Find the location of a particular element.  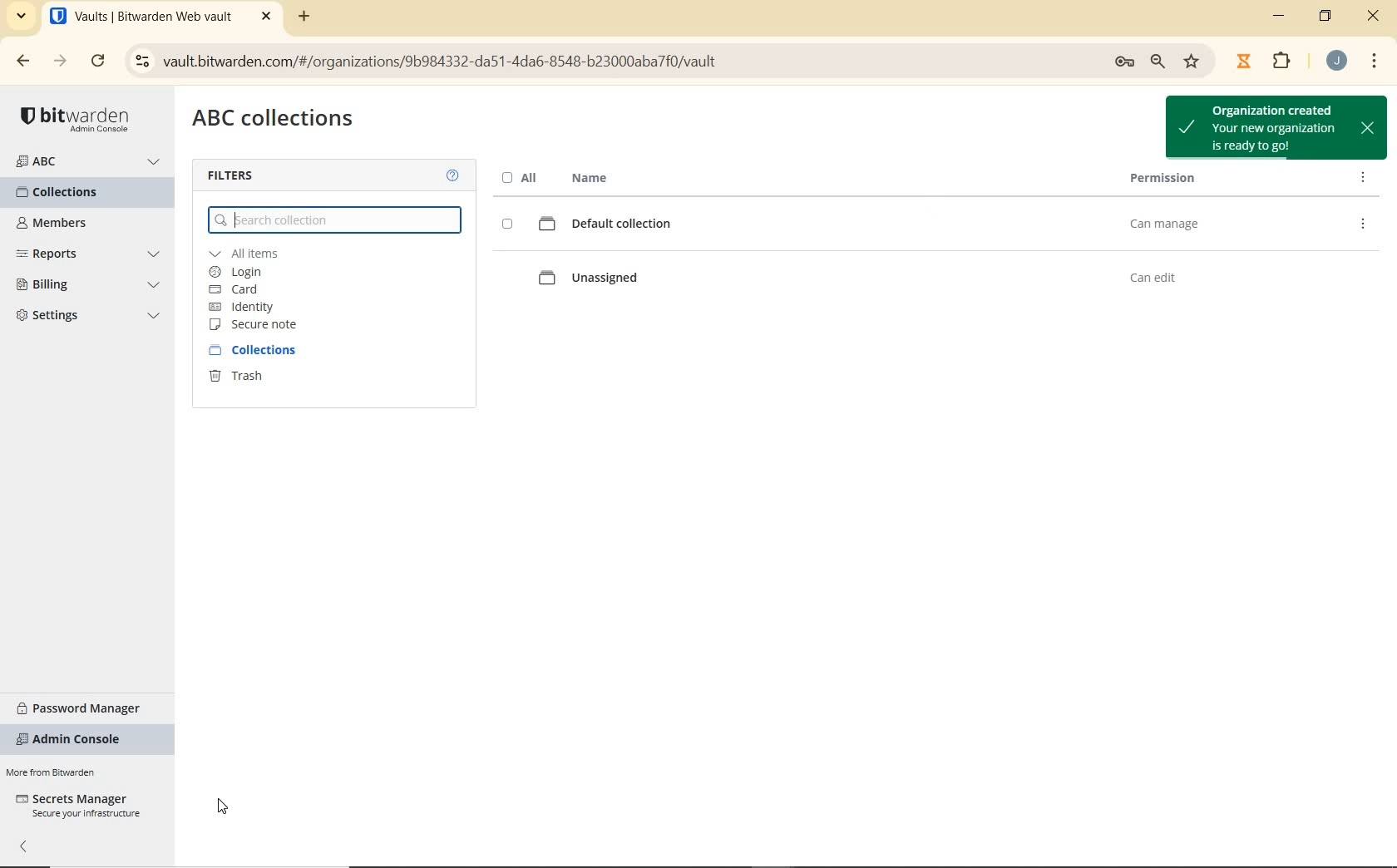

CLOSE is located at coordinates (1360, 125).